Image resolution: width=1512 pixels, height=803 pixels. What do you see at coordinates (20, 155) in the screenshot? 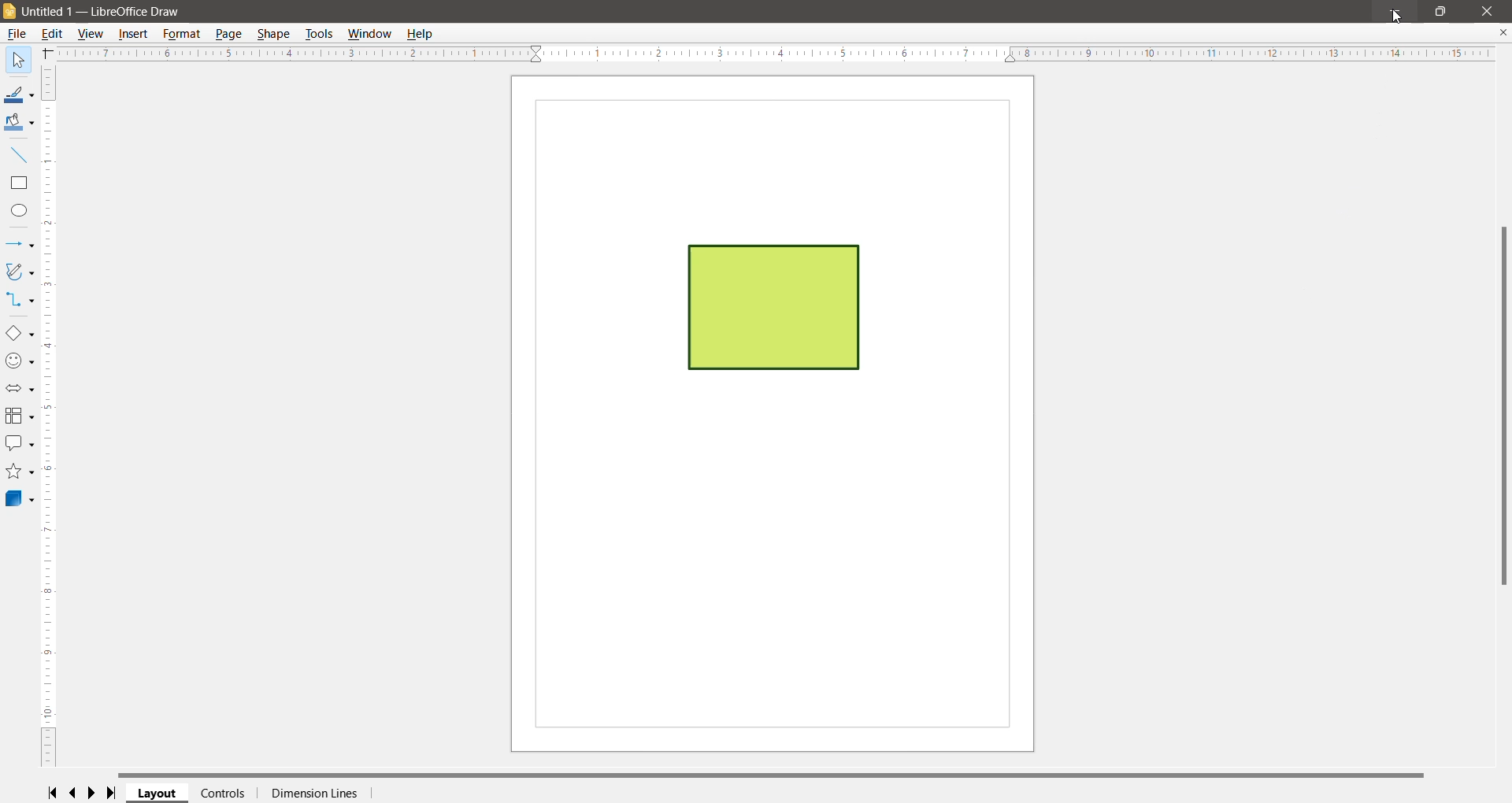
I see `Insert Line` at bounding box center [20, 155].